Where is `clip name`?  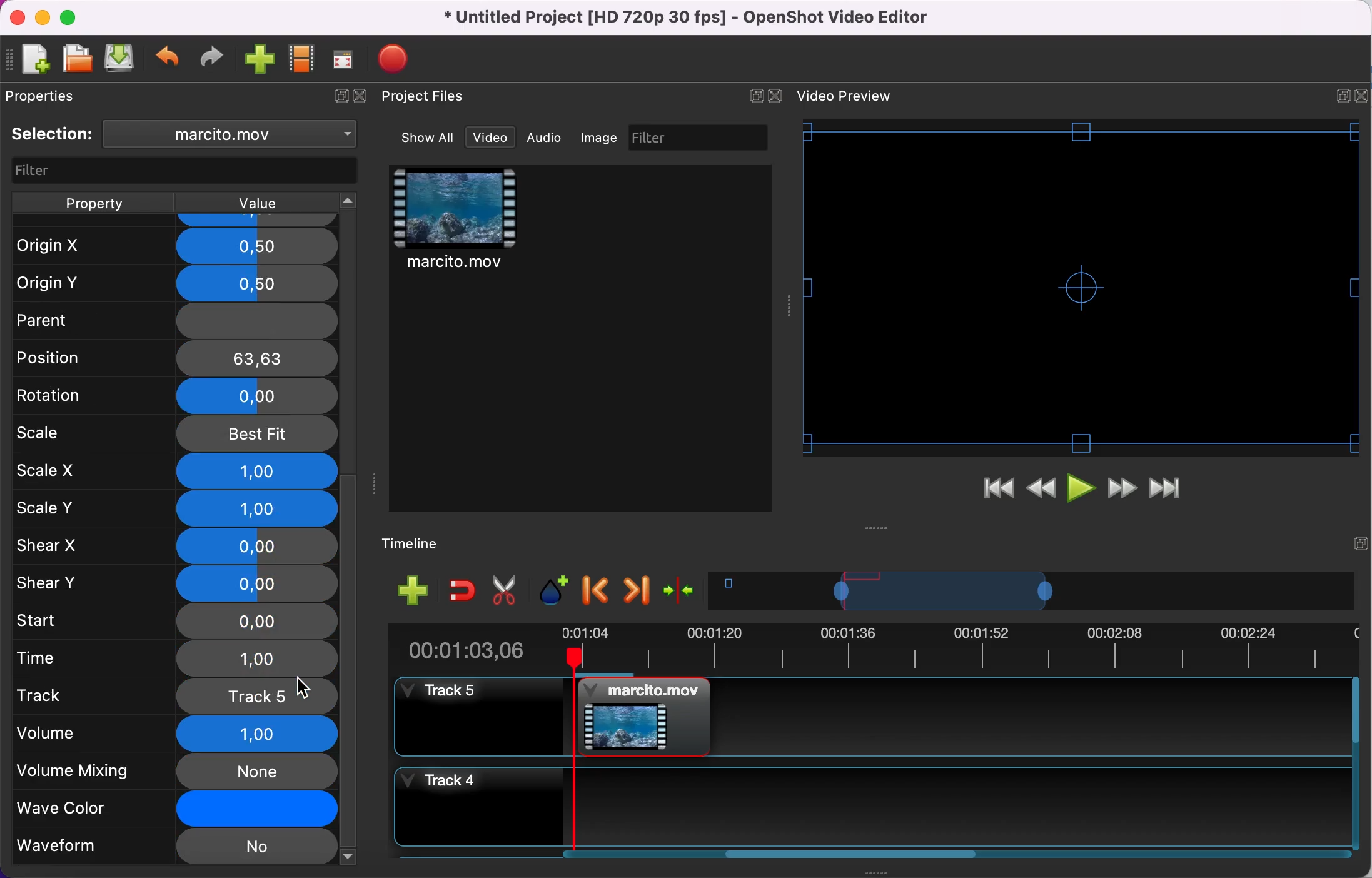
clip name is located at coordinates (236, 133).